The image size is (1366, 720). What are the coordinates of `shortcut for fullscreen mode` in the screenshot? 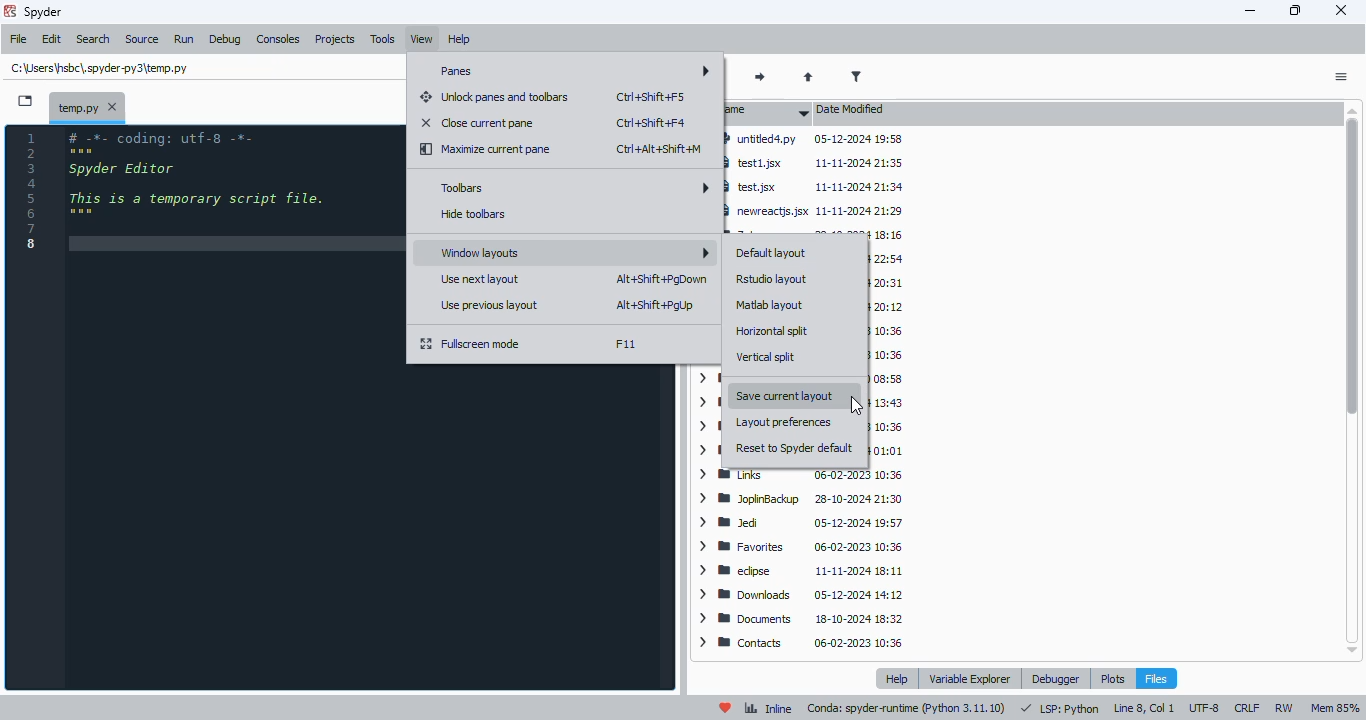 It's located at (626, 344).